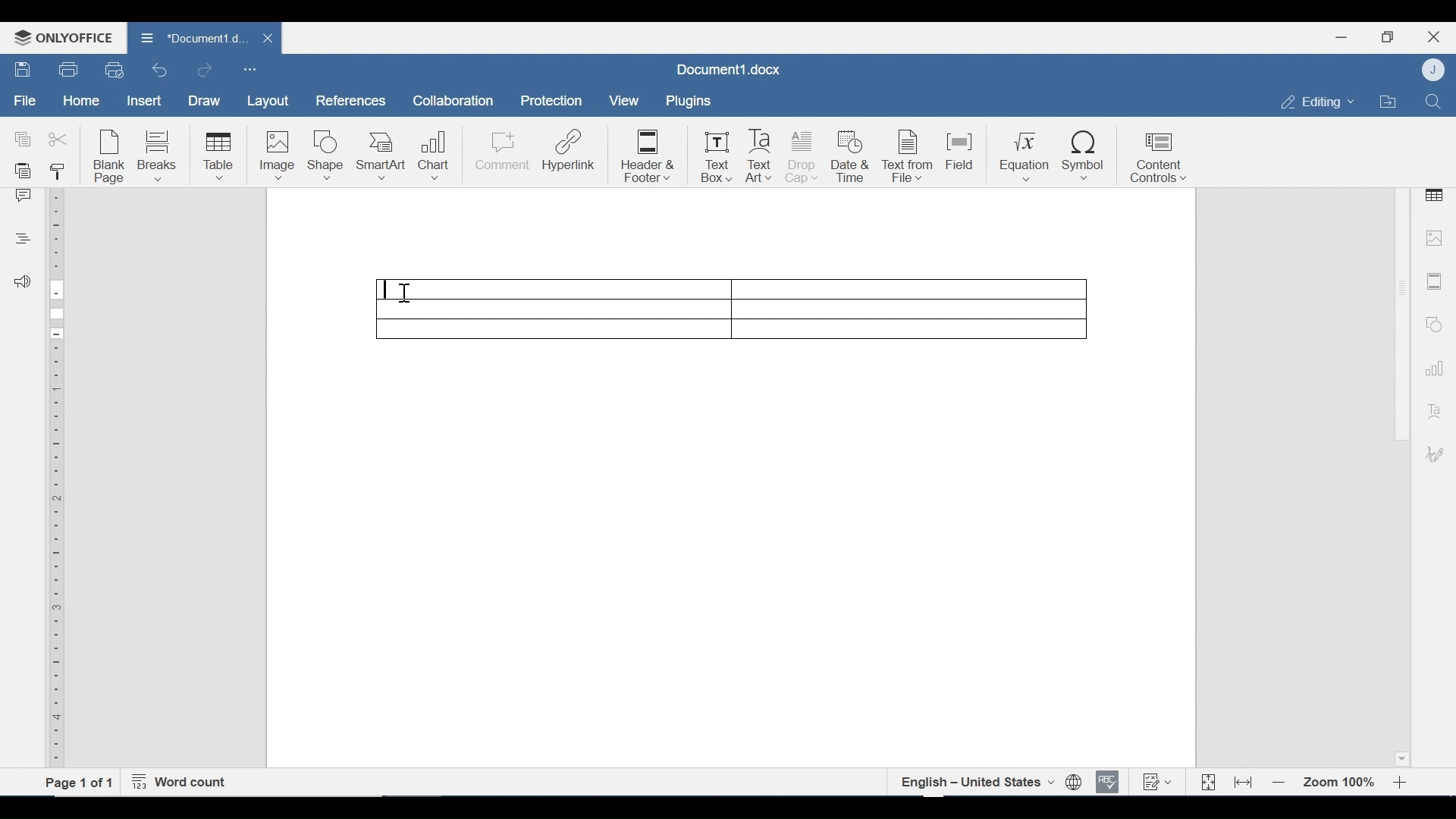  I want to click on Protection, so click(551, 102).